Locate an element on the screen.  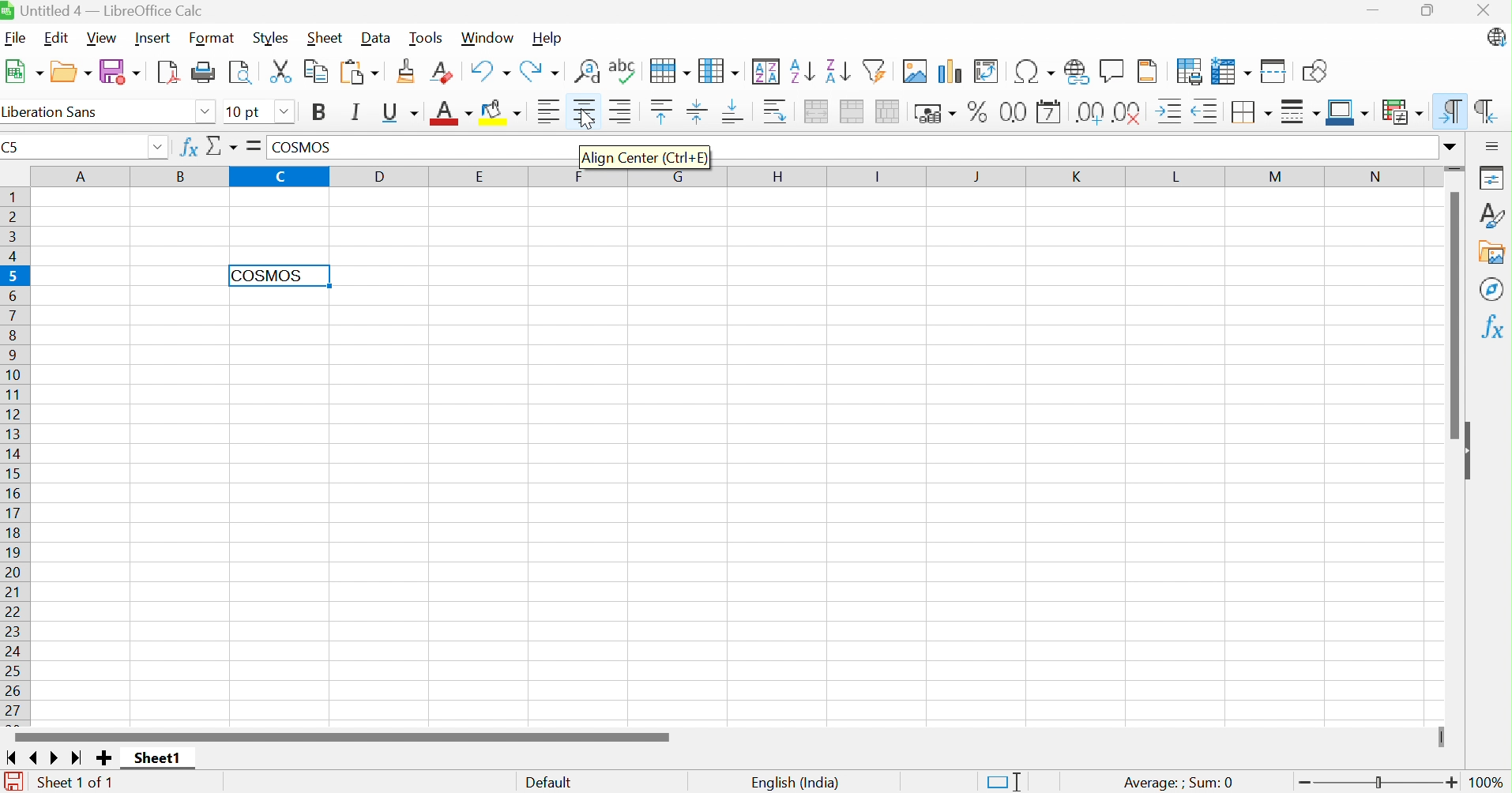
Increase Indent is located at coordinates (1171, 113).